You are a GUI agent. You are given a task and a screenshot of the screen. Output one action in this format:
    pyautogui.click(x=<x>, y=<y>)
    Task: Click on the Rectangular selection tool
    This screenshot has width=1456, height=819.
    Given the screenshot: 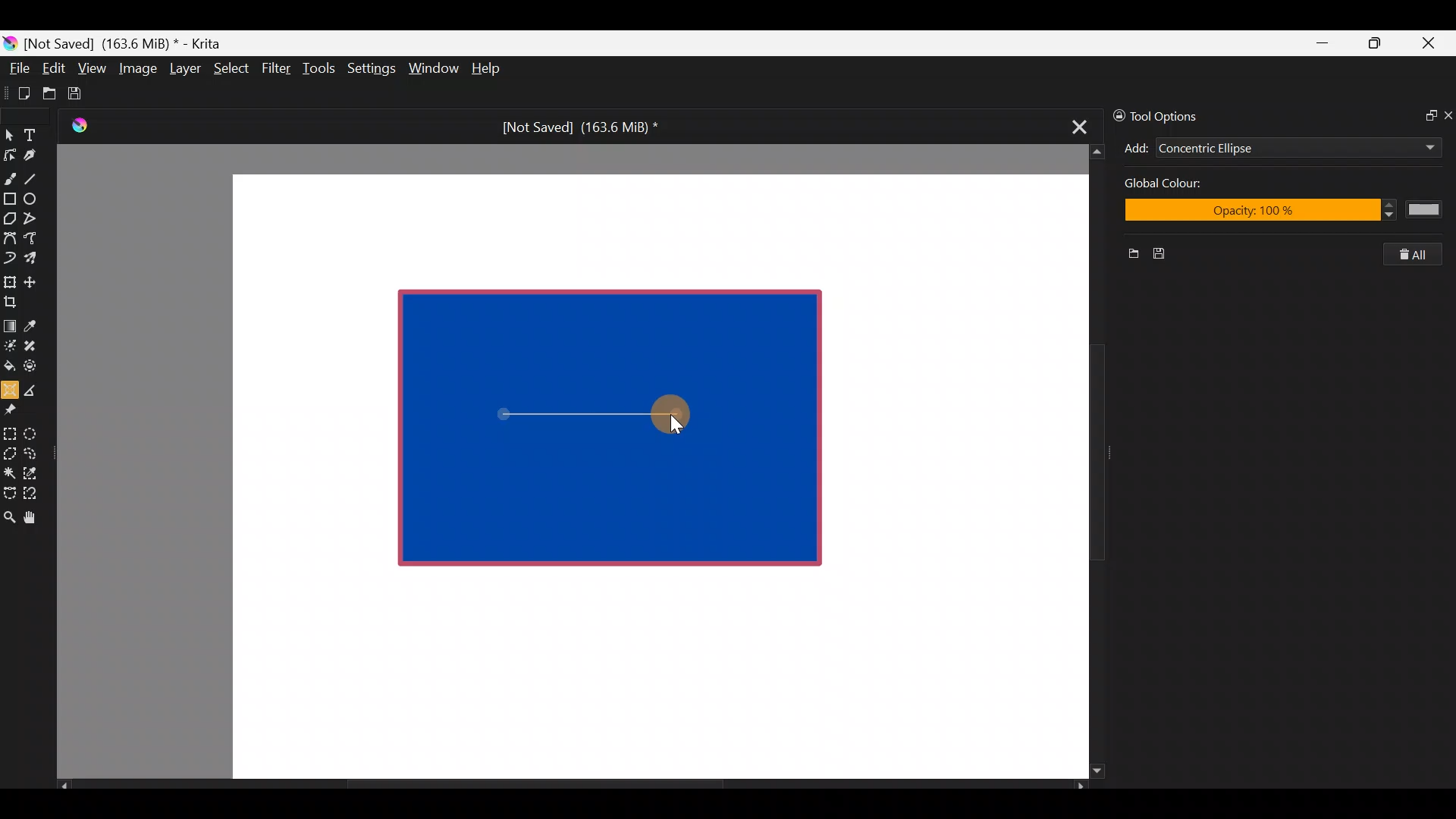 What is the action you would take?
    pyautogui.click(x=13, y=431)
    